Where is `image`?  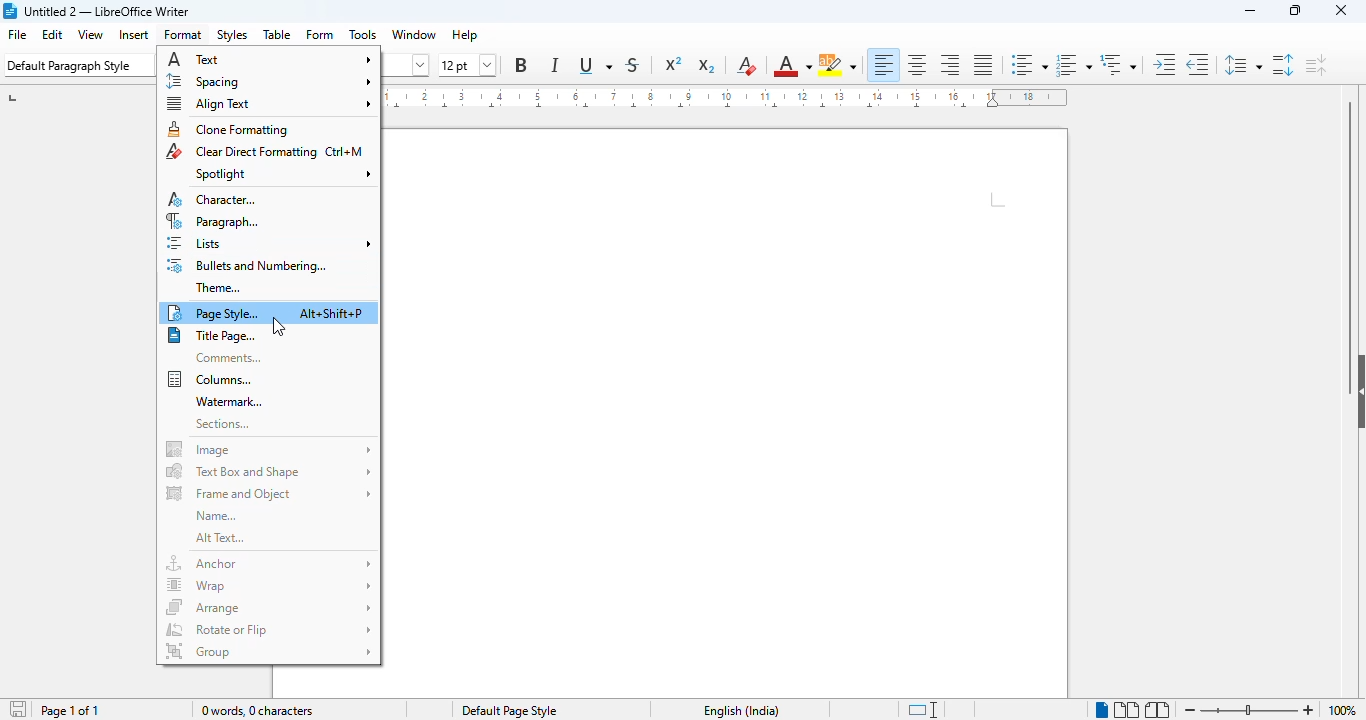
image is located at coordinates (268, 448).